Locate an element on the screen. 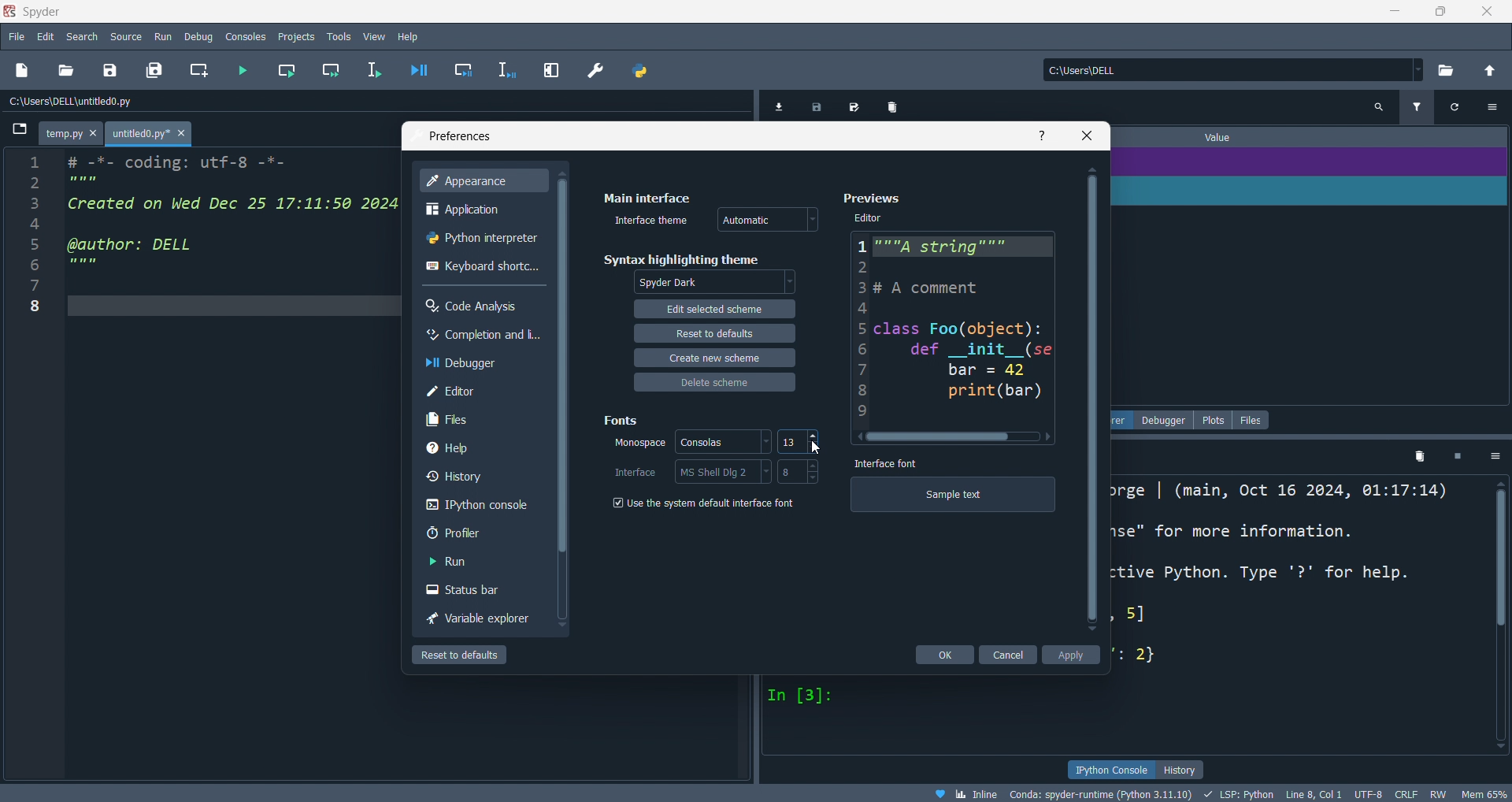 This screenshot has height=802, width=1512. maximize/restore is located at coordinates (1439, 13).